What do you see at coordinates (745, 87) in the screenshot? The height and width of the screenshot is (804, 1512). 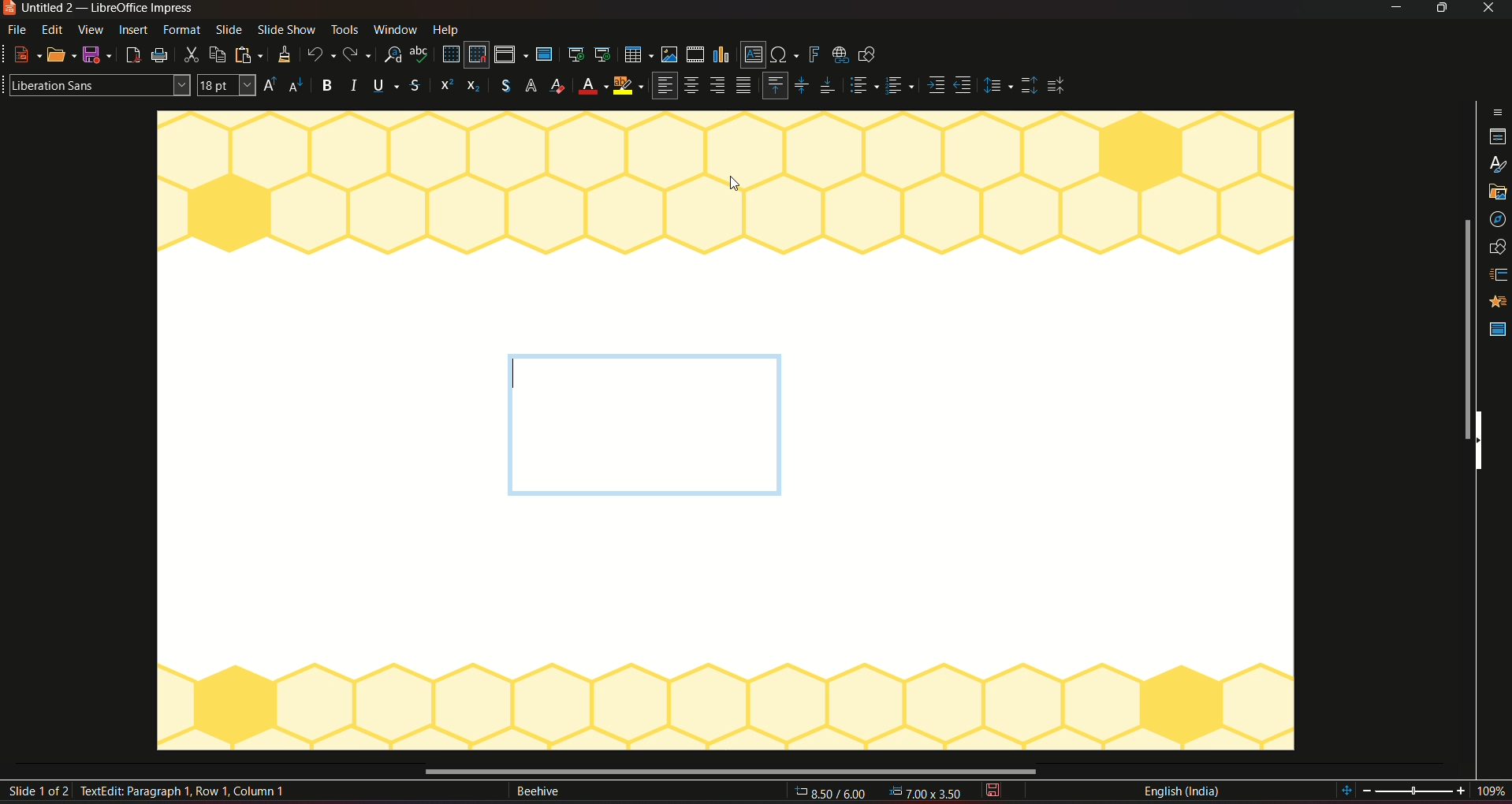 I see `paragraph` at bounding box center [745, 87].